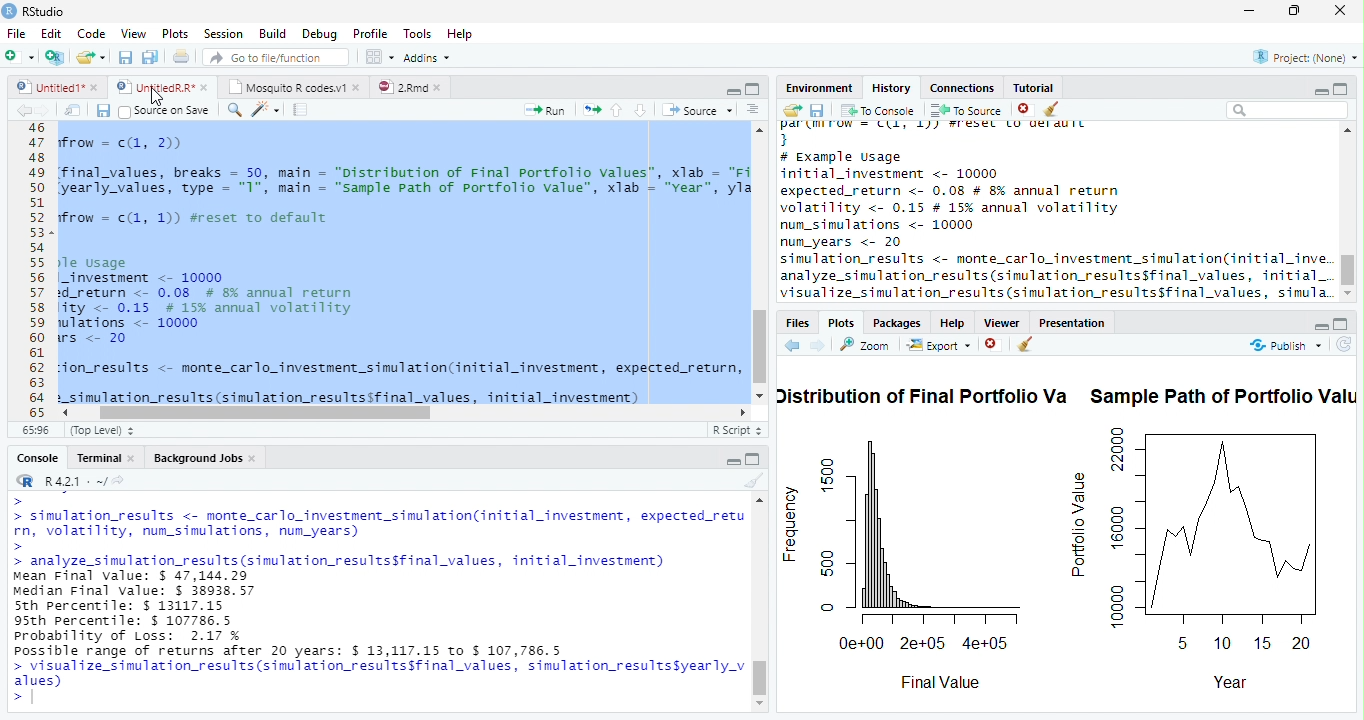 Image resolution: width=1364 pixels, height=720 pixels. Describe the element at coordinates (1198, 539) in the screenshot. I see `Portfolio Value Chart` at that location.